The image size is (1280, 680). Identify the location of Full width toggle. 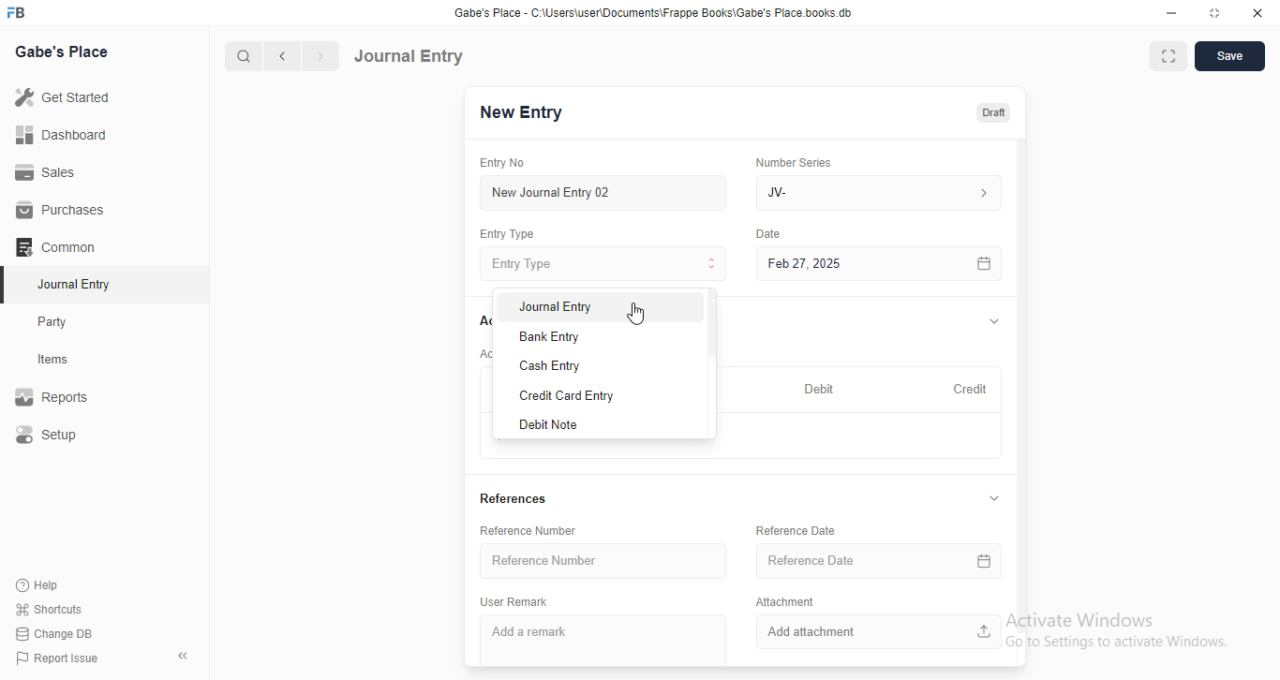
(1167, 57).